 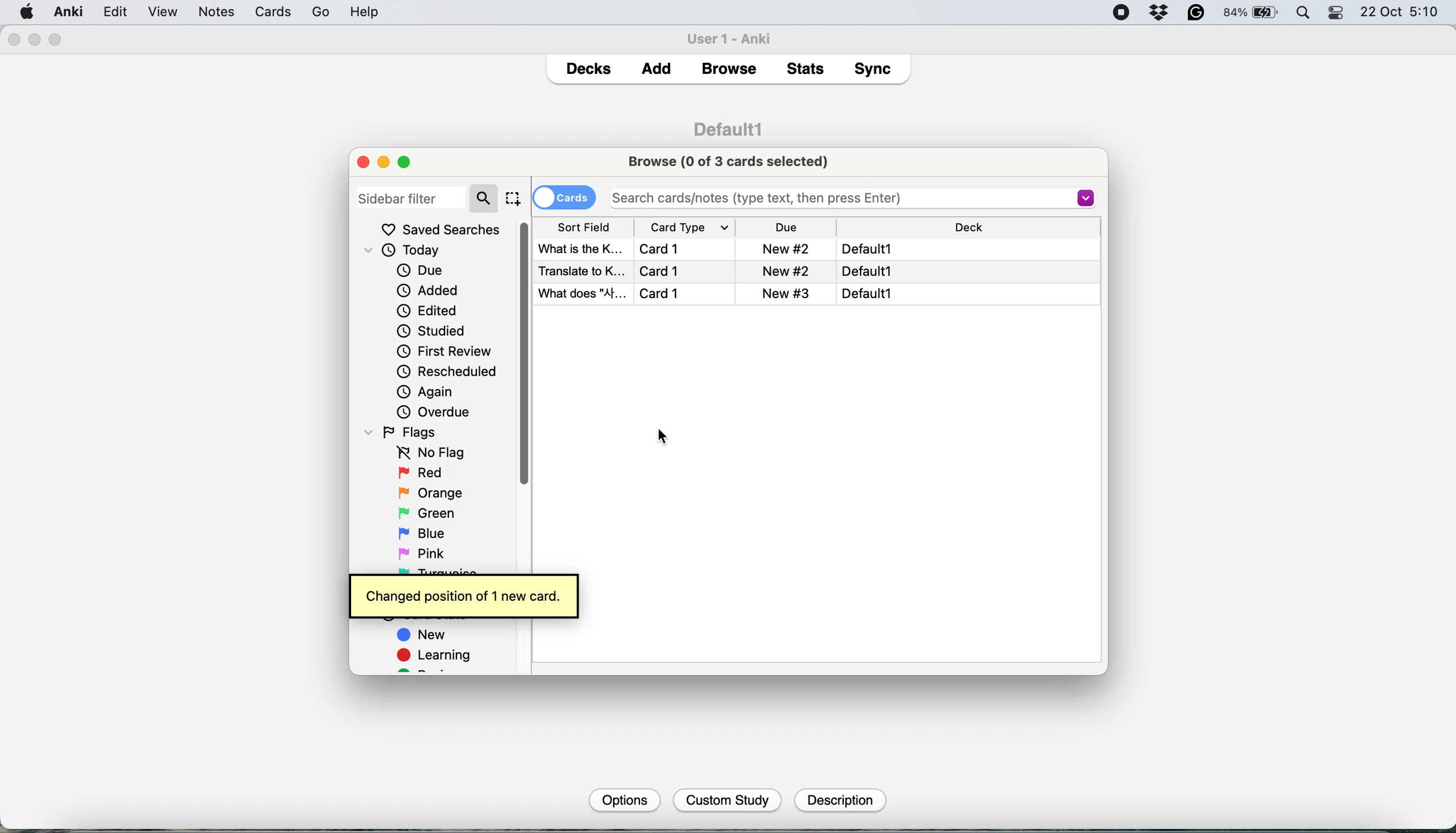 I want to click on screen recorder, so click(x=1121, y=14).